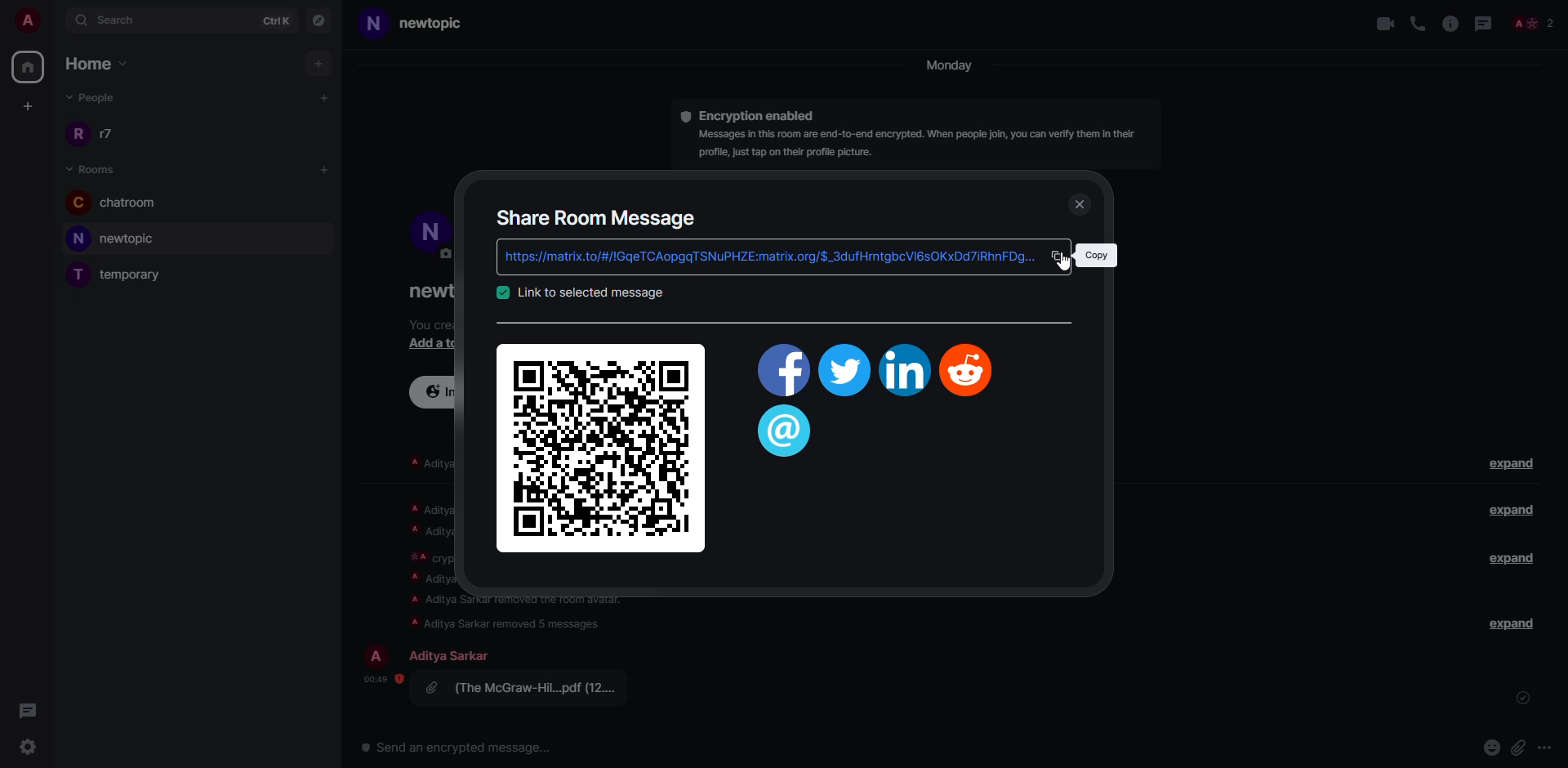  What do you see at coordinates (379, 678) in the screenshot?
I see `time` at bounding box center [379, 678].